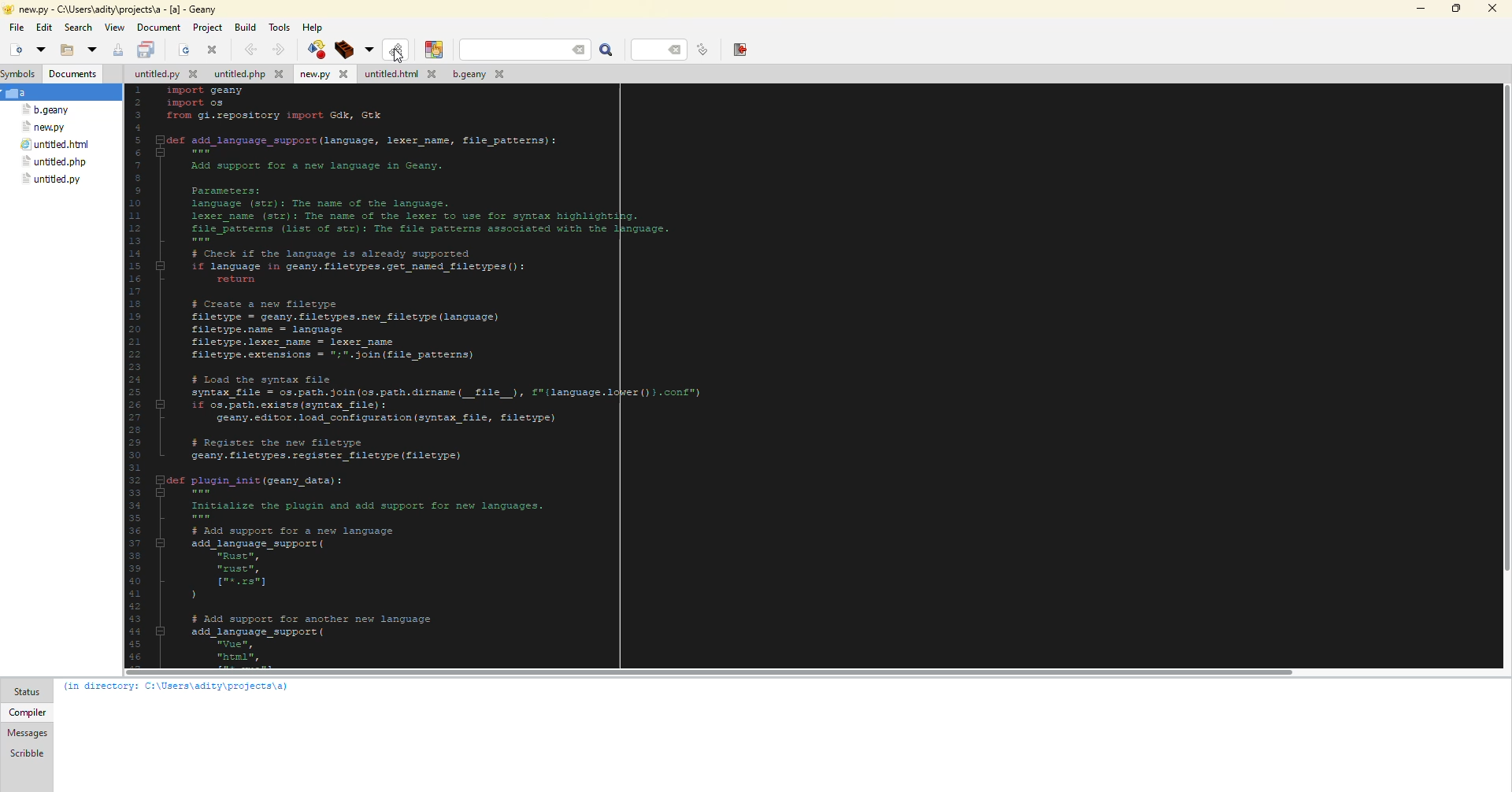 Image resolution: width=1512 pixels, height=792 pixels. I want to click on document, so click(75, 76).